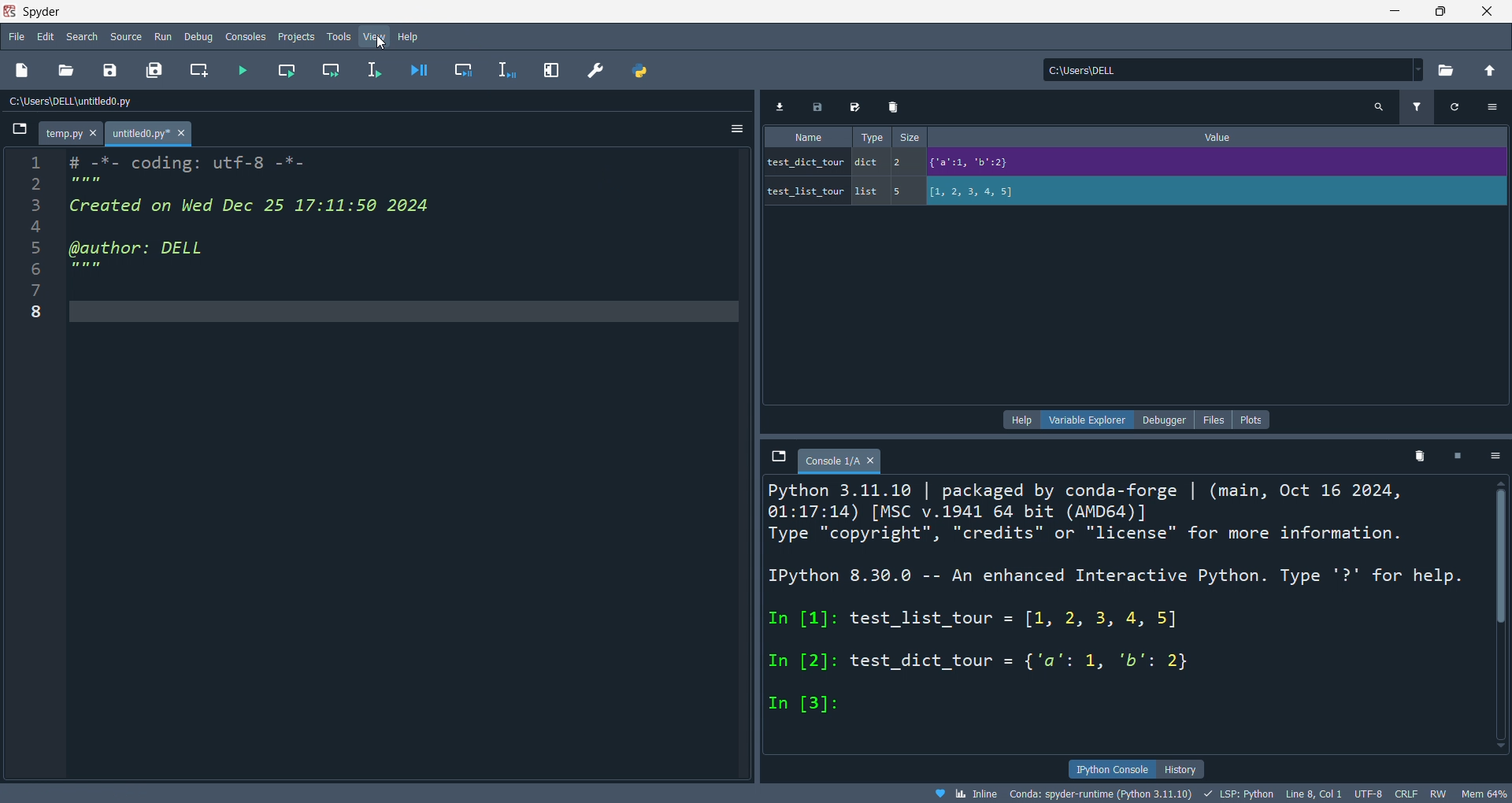 Image resolution: width=1512 pixels, height=803 pixels. What do you see at coordinates (1214, 193) in the screenshot?
I see `variable value` at bounding box center [1214, 193].